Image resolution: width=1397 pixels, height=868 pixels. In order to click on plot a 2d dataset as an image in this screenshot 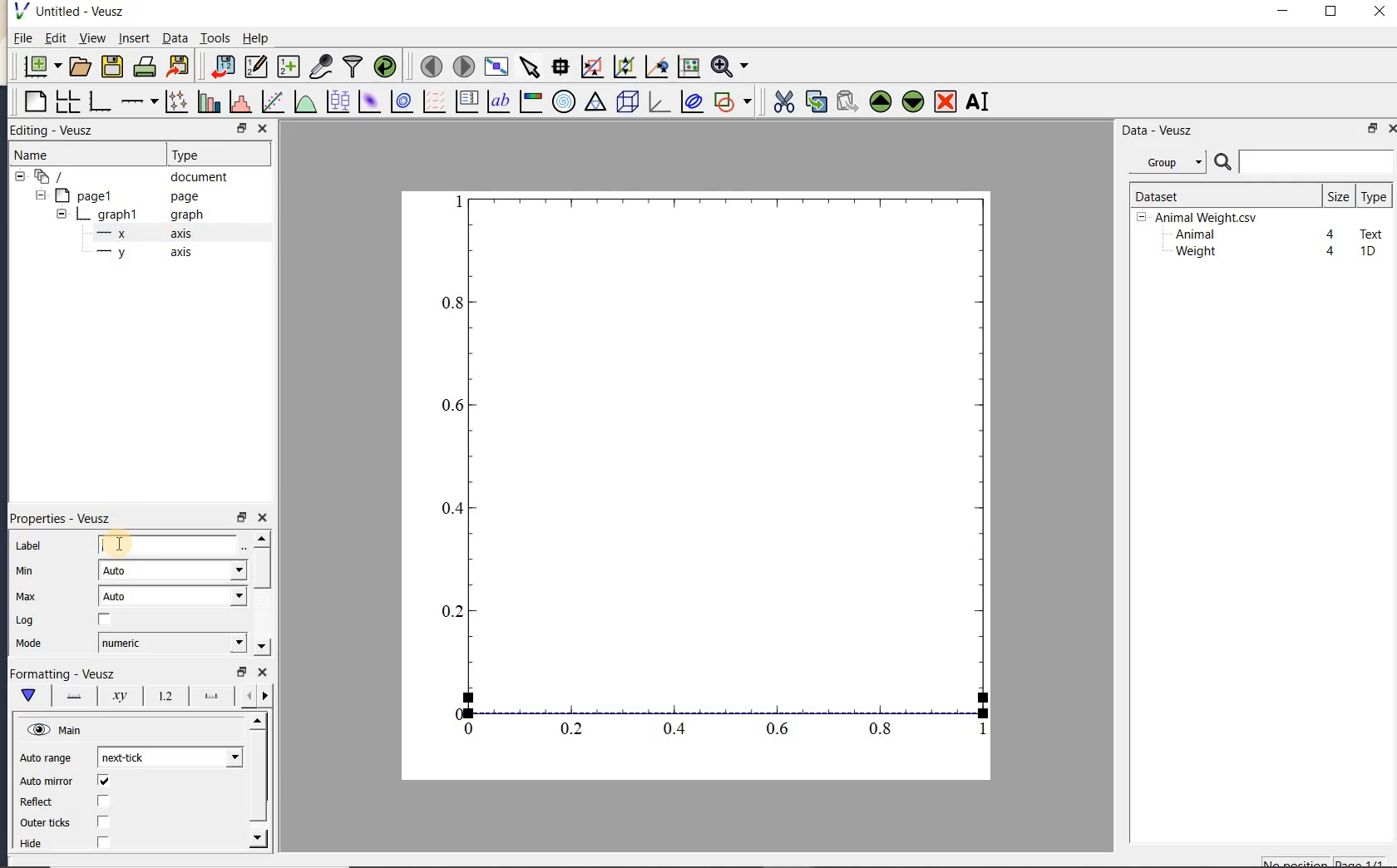, I will do `click(368, 101)`.